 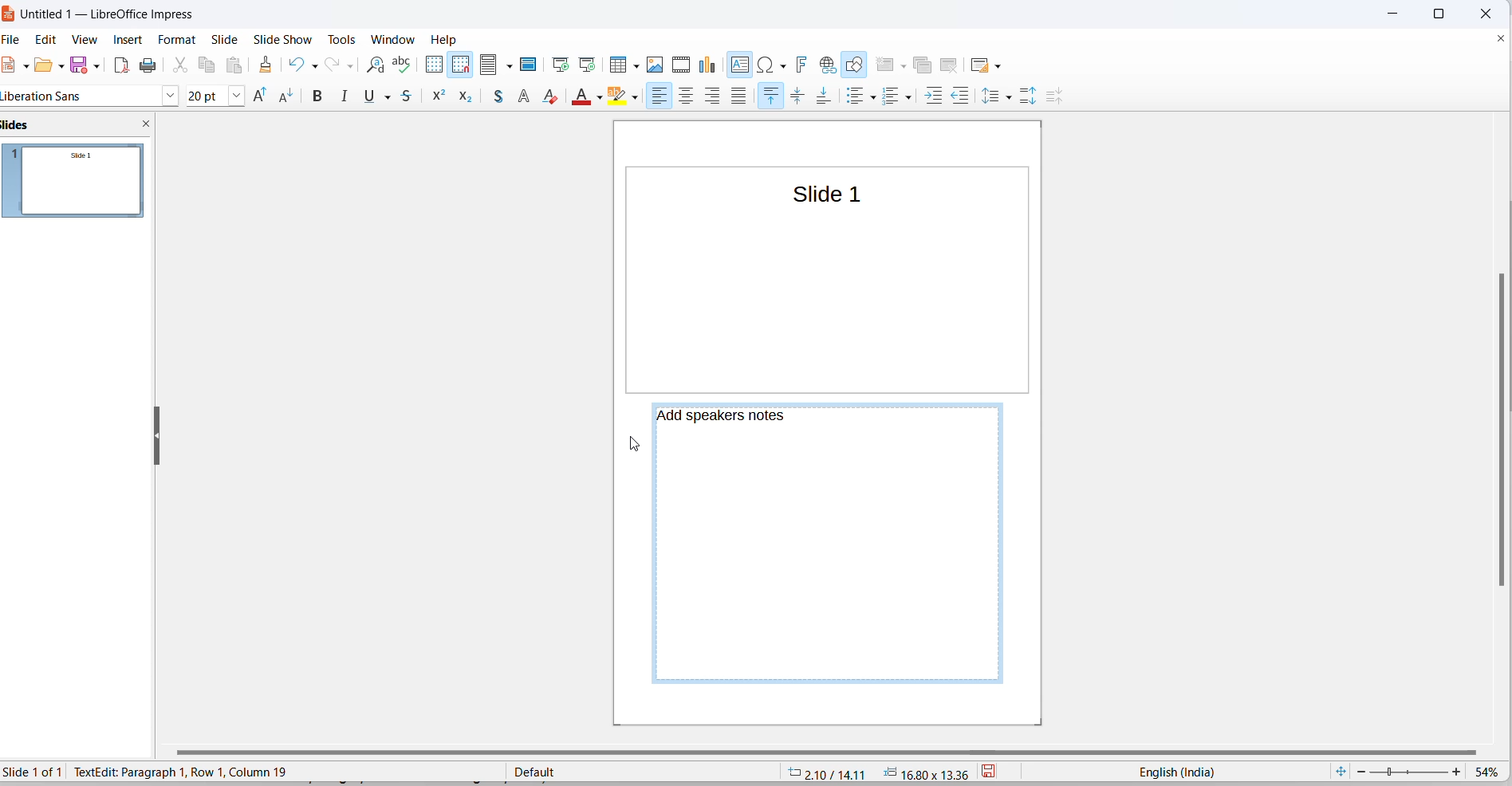 What do you see at coordinates (303, 96) in the screenshot?
I see `connectors` at bounding box center [303, 96].